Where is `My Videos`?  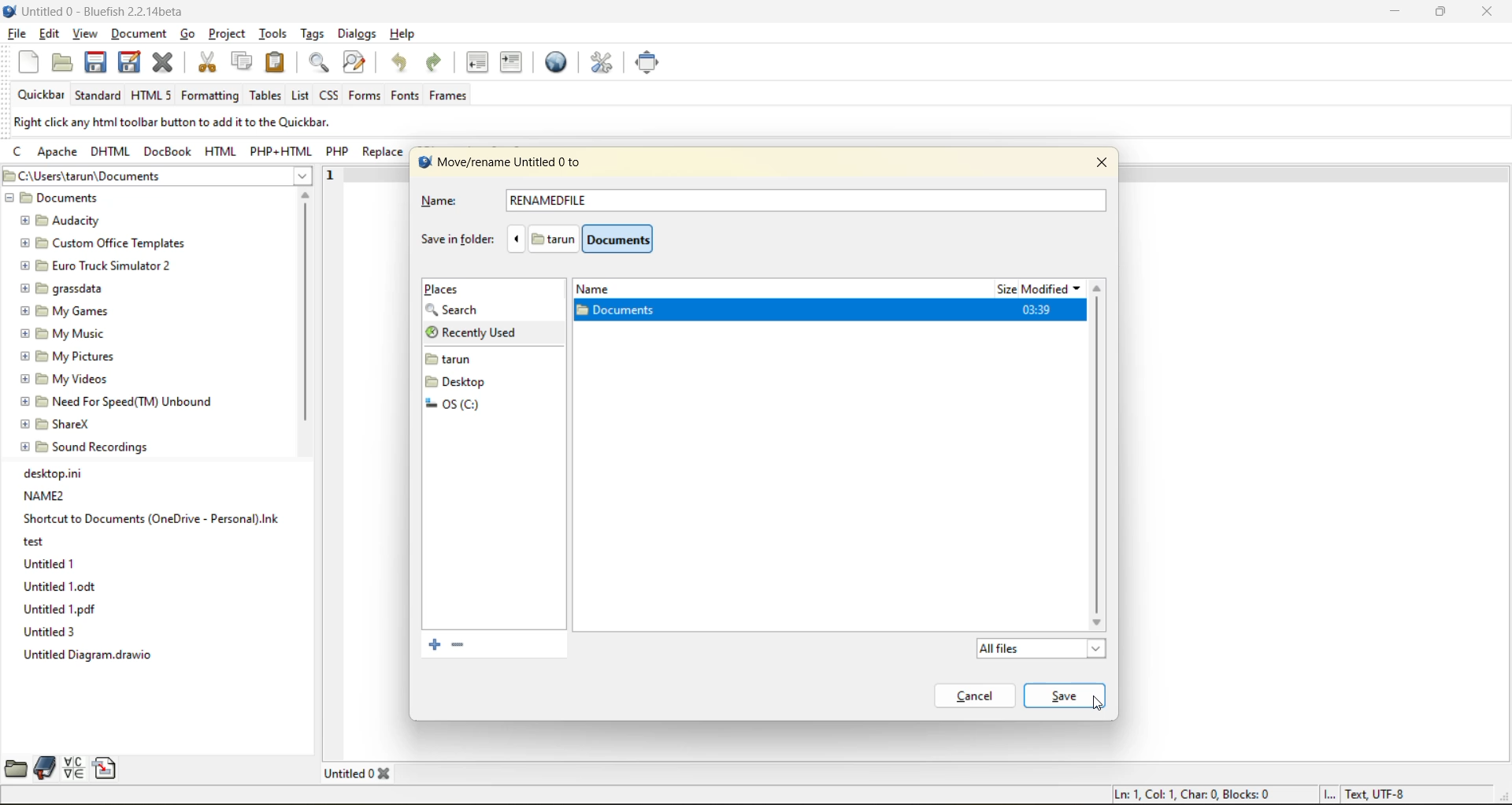
My Videos is located at coordinates (68, 380).